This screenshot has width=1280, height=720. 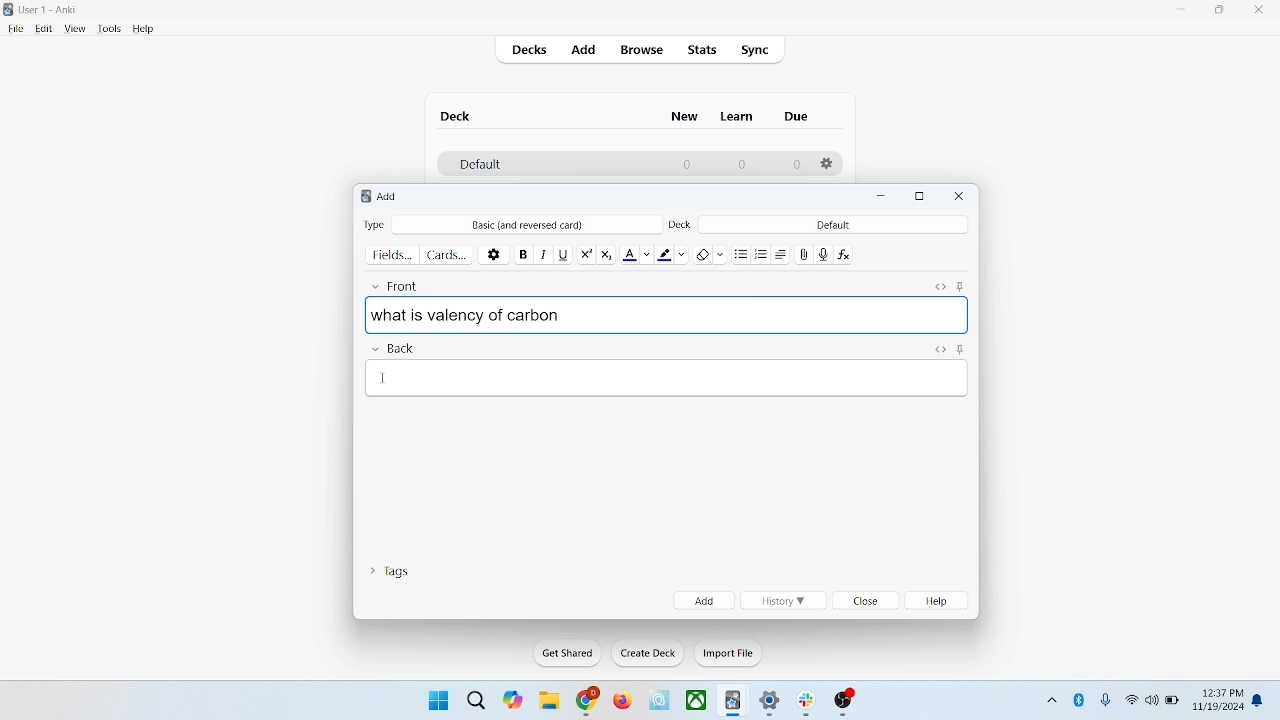 I want to click on get shared, so click(x=569, y=654).